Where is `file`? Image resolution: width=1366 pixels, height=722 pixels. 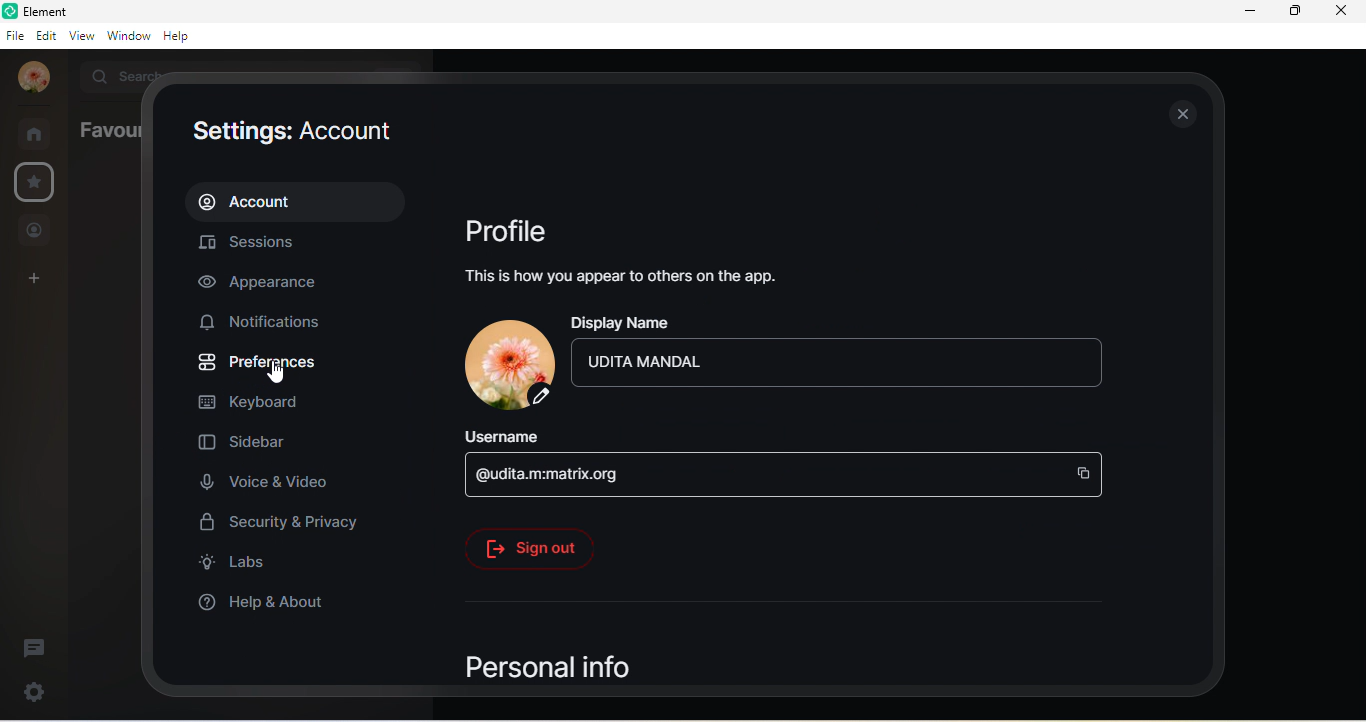
file is located at coordinates (14, 35).